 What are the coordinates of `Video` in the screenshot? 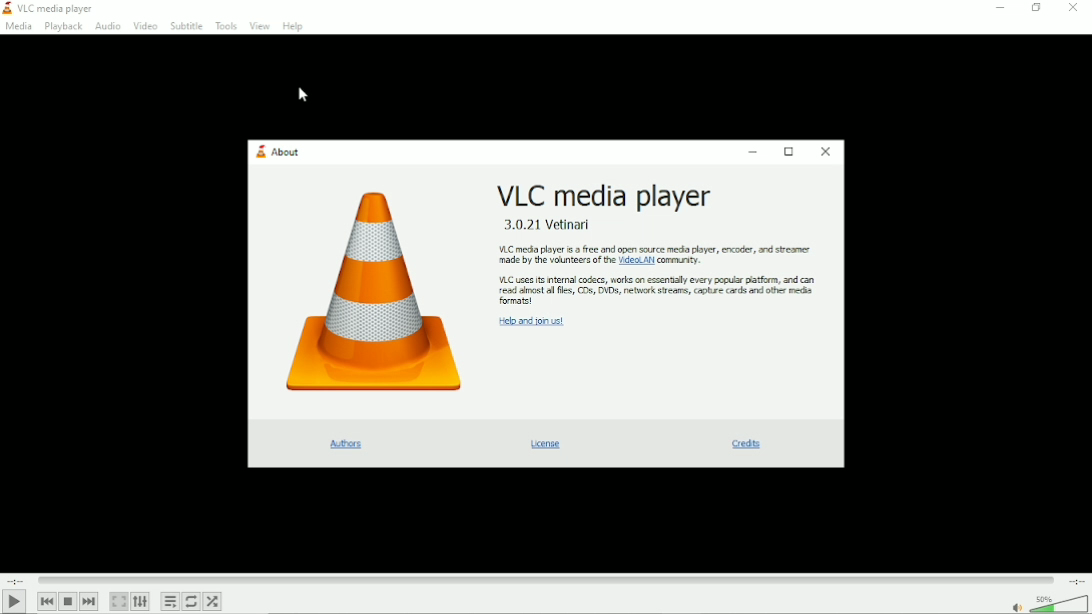 It's located at (146, 26).